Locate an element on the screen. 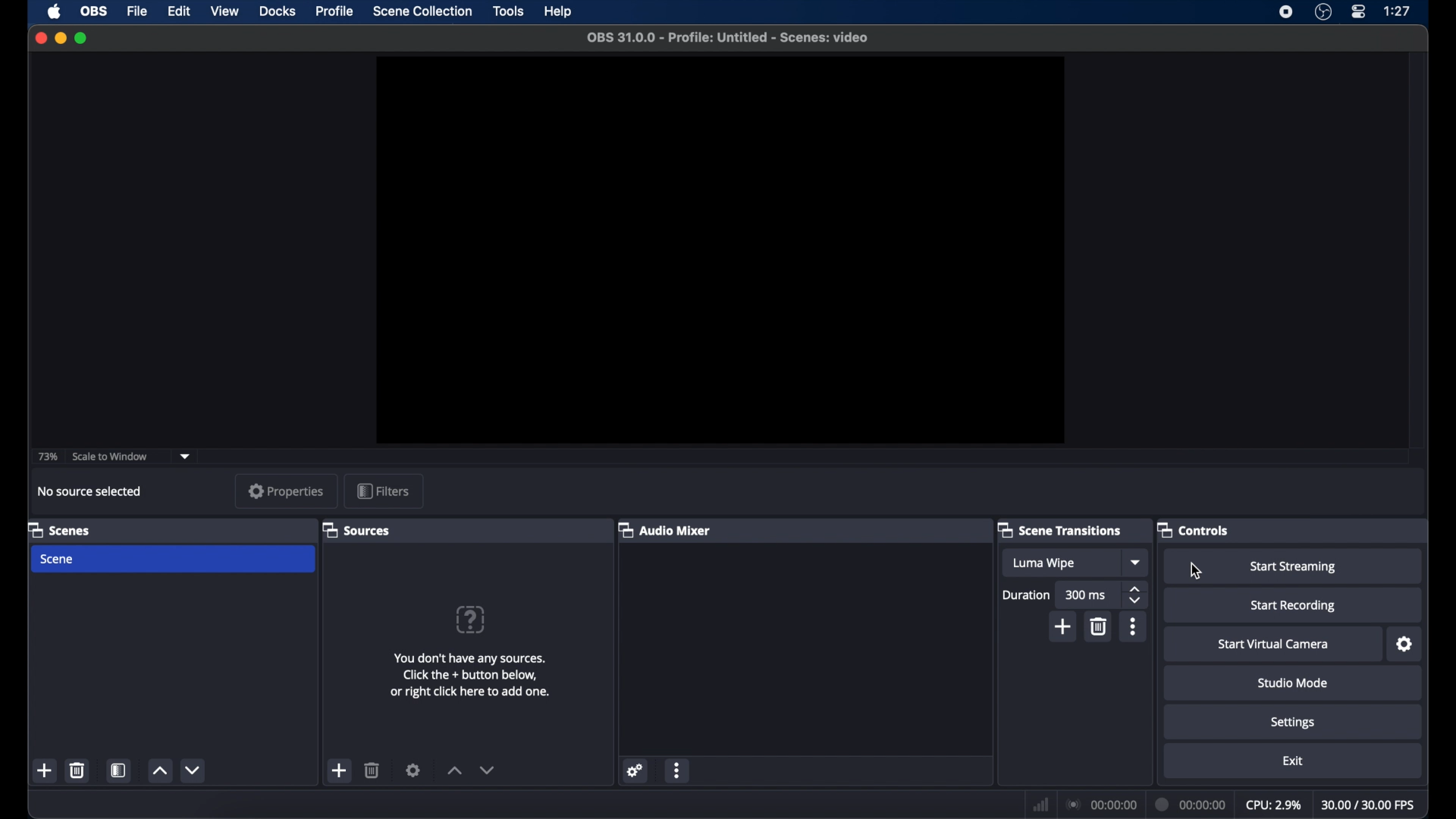  profile is located at coordinates (333, 12).